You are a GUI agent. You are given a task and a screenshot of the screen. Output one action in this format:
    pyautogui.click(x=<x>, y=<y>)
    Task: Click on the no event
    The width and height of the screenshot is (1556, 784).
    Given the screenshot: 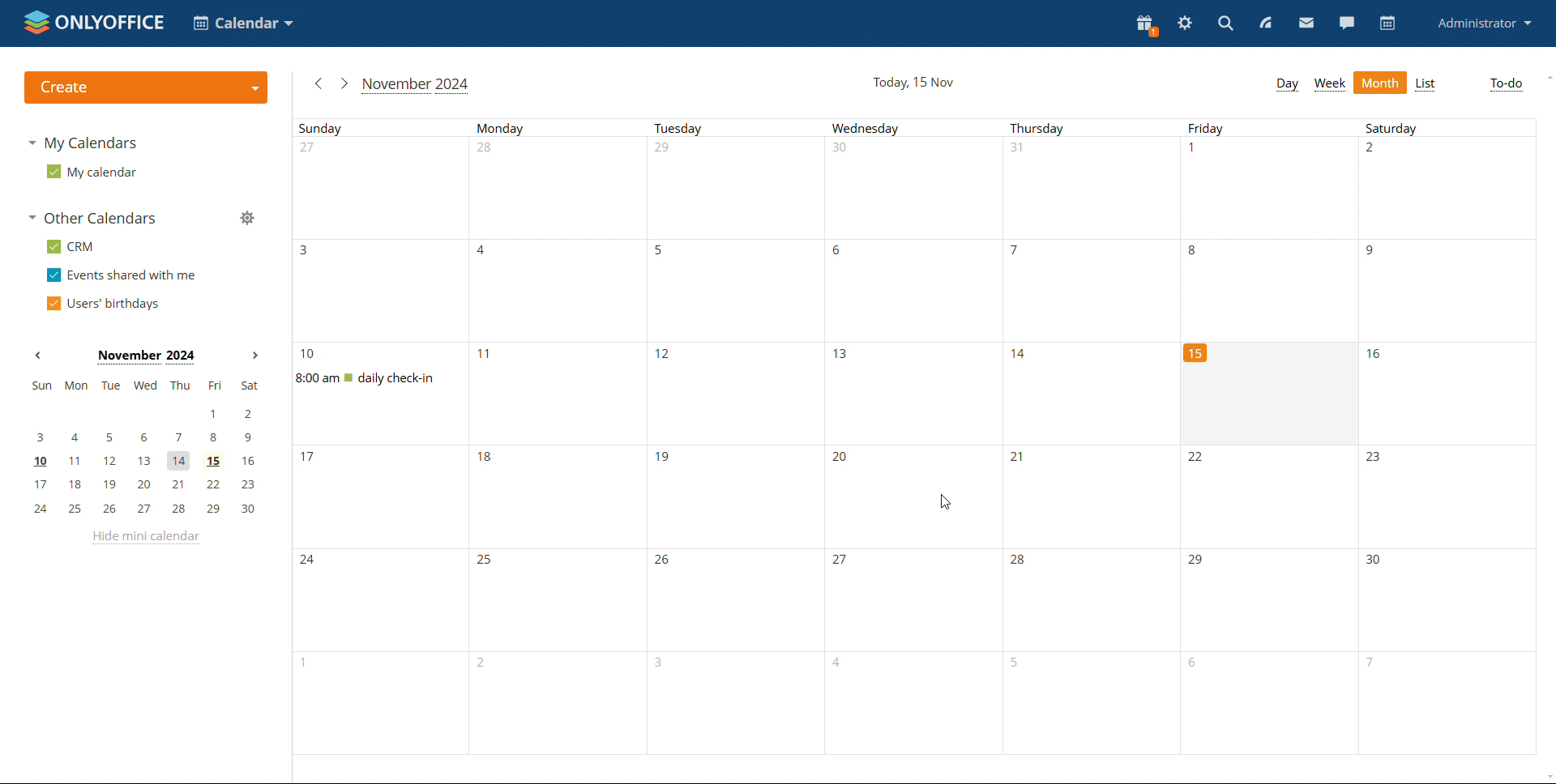 What is the action you would take?
    pyautogui.click(x=1263, y=392)
    